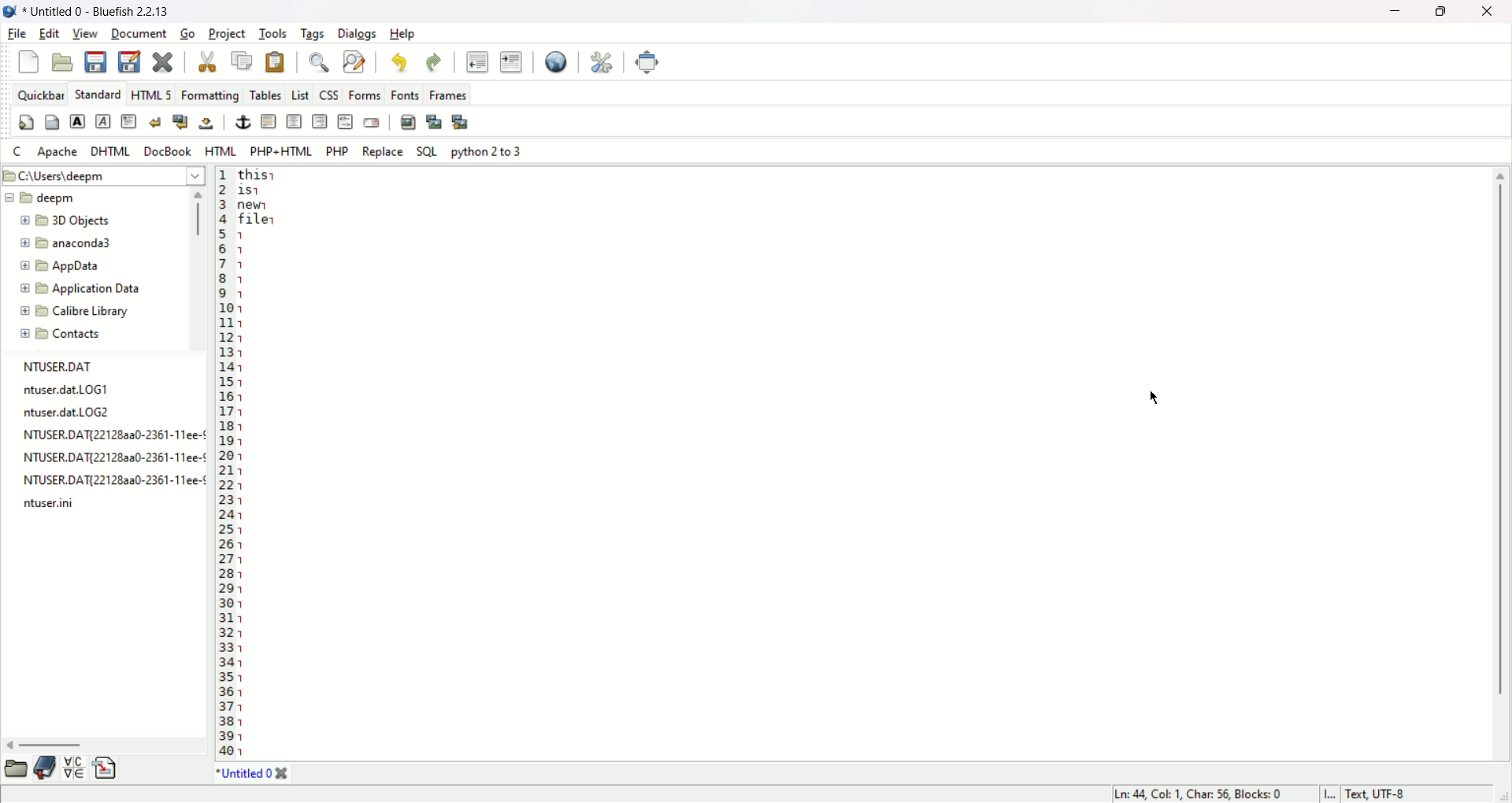 Image resolution: width=1512 pixels, height=803 pixels. Describe the element at coordinates (487, 151) in the screenshot. I see `Python 2 to 3` at that location.